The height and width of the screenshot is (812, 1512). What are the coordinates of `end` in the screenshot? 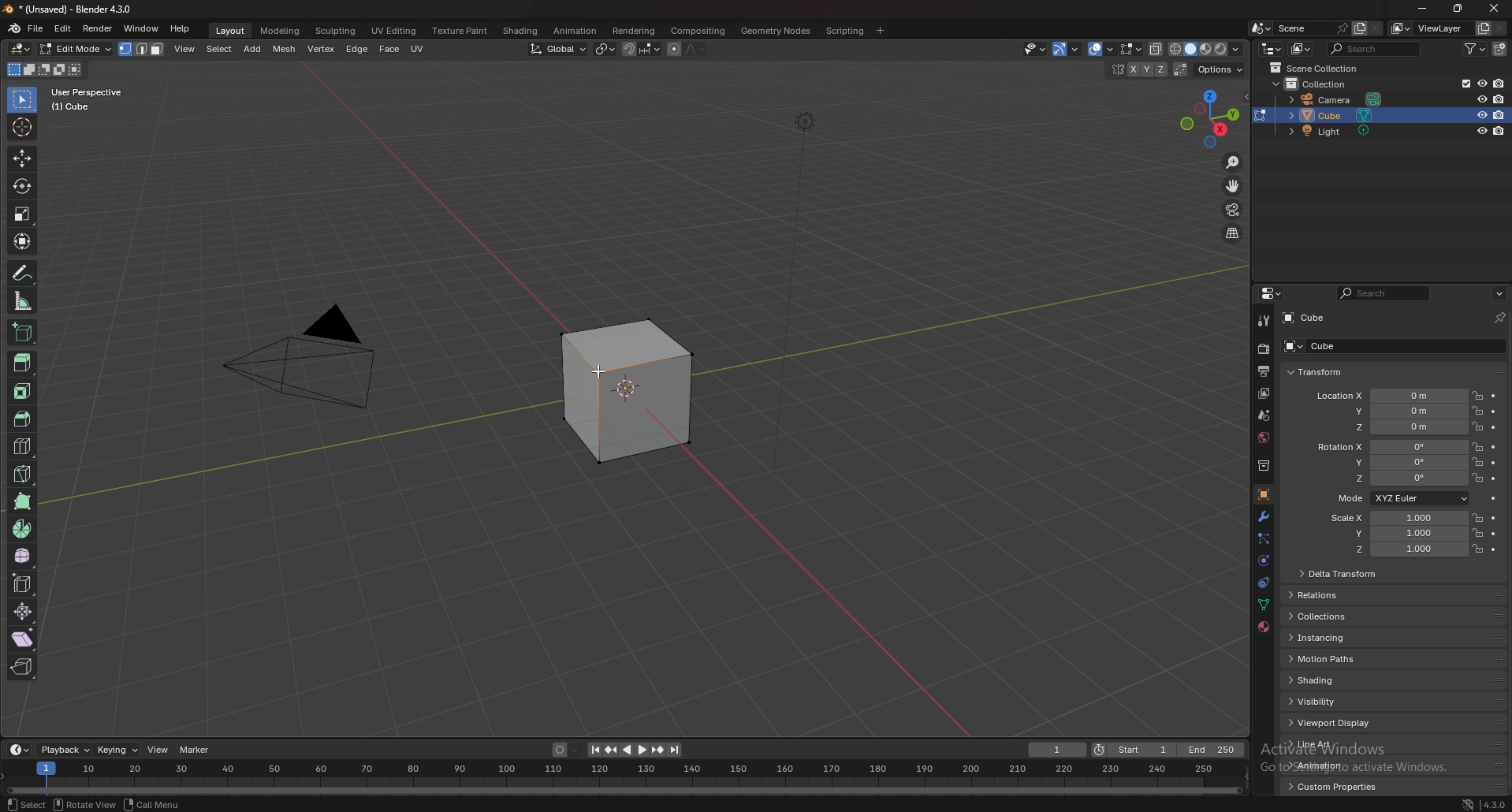 It's located at (1210, 750).